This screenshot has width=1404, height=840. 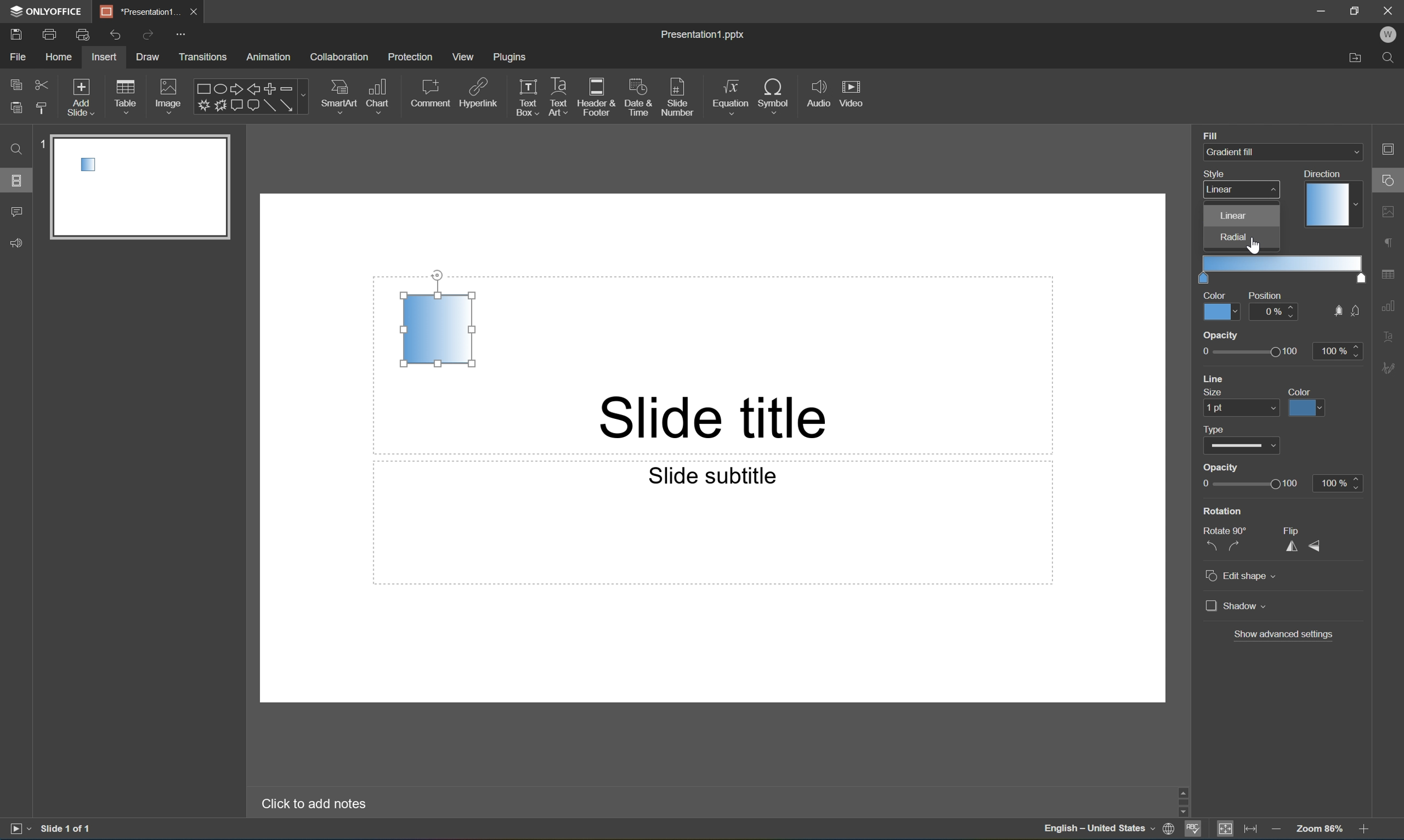 I want to click on Video, so click(x=850, y=92).